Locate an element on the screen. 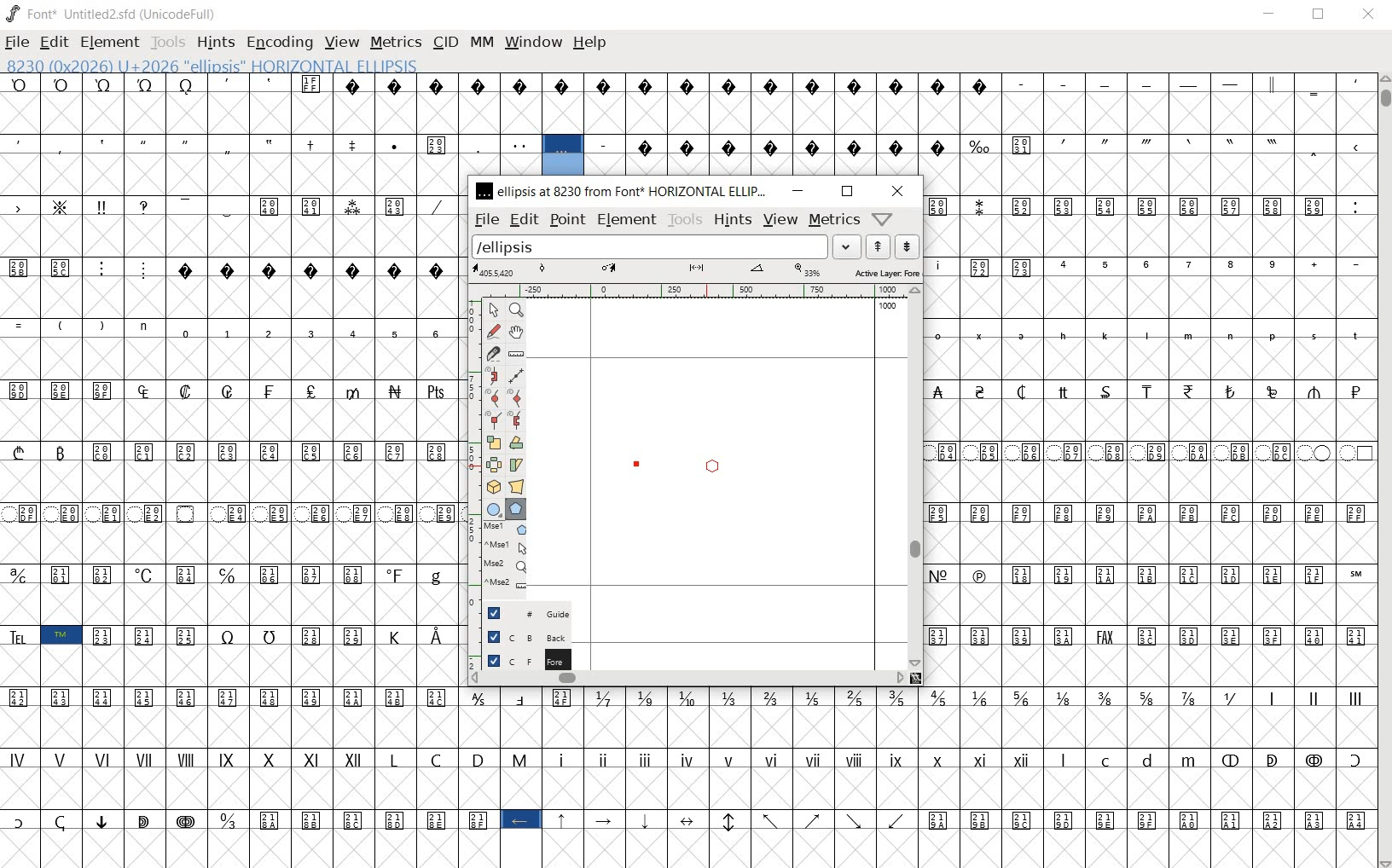 The height and width of the screenshot is (868, 1392). flip the selection is located at coordinates (495, 464).